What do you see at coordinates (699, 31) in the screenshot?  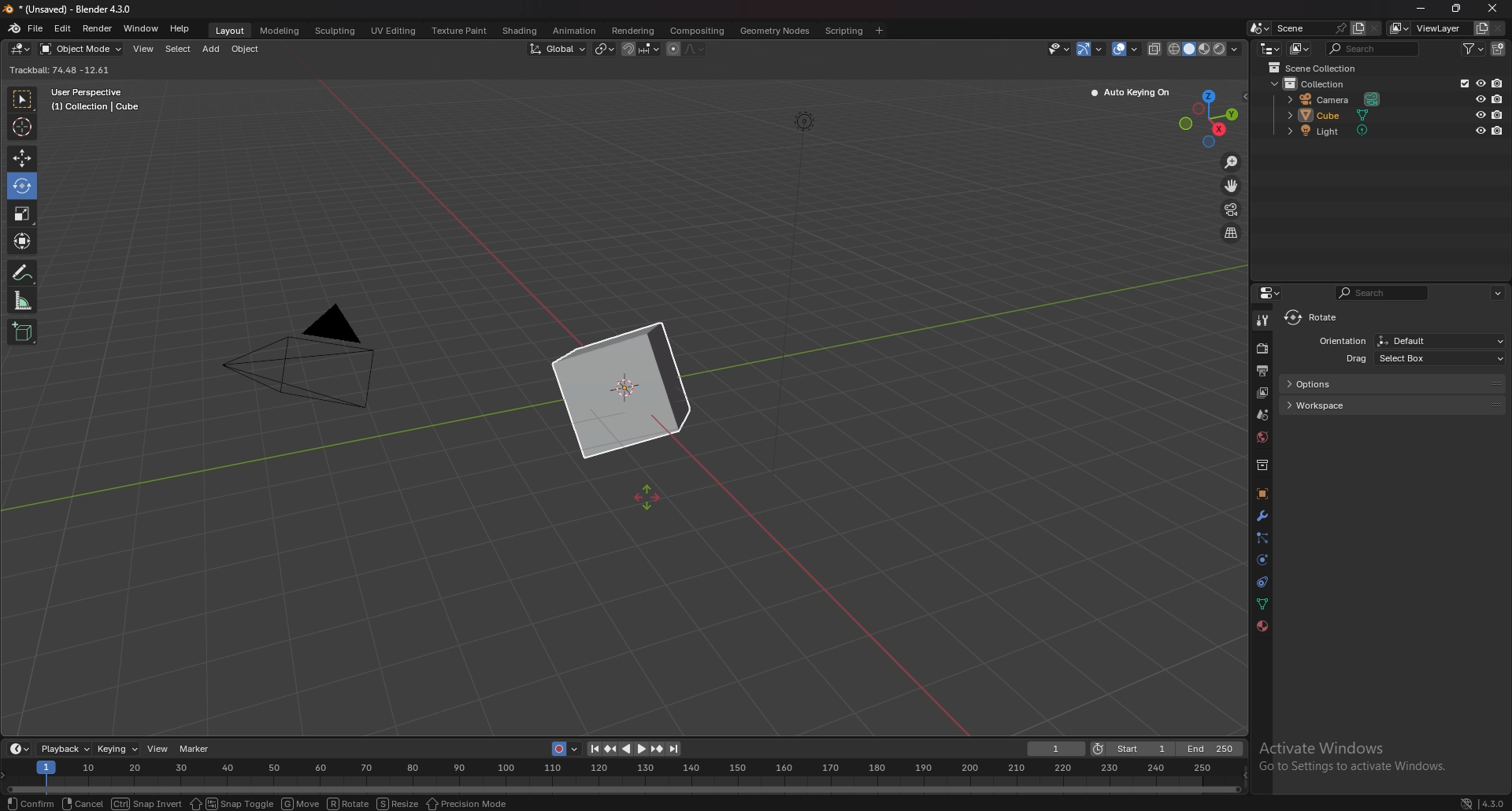 I see `compositing` at bounding box center [699, 31].